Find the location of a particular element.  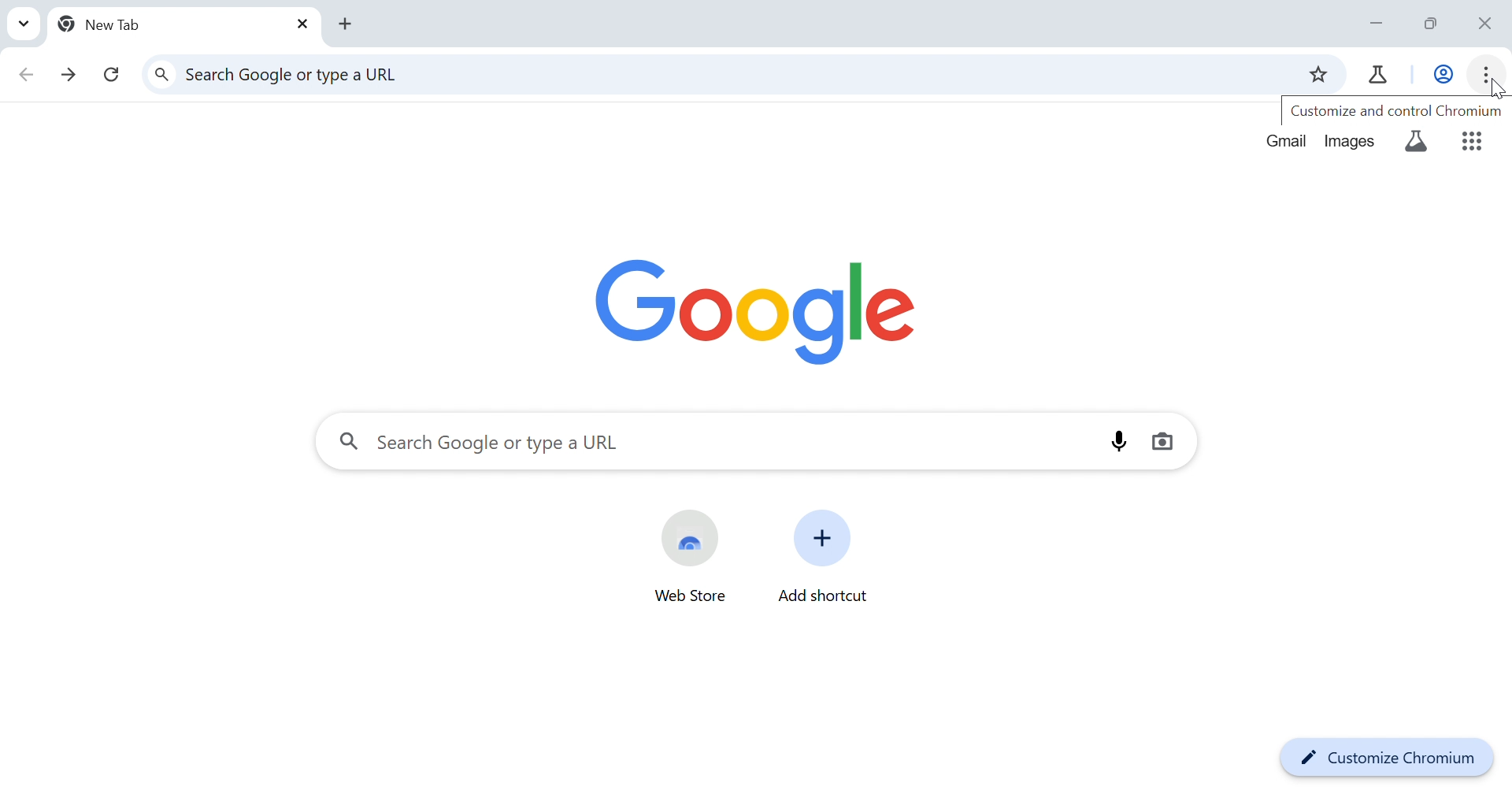

Minimize is located at coordinates (1381, 25).